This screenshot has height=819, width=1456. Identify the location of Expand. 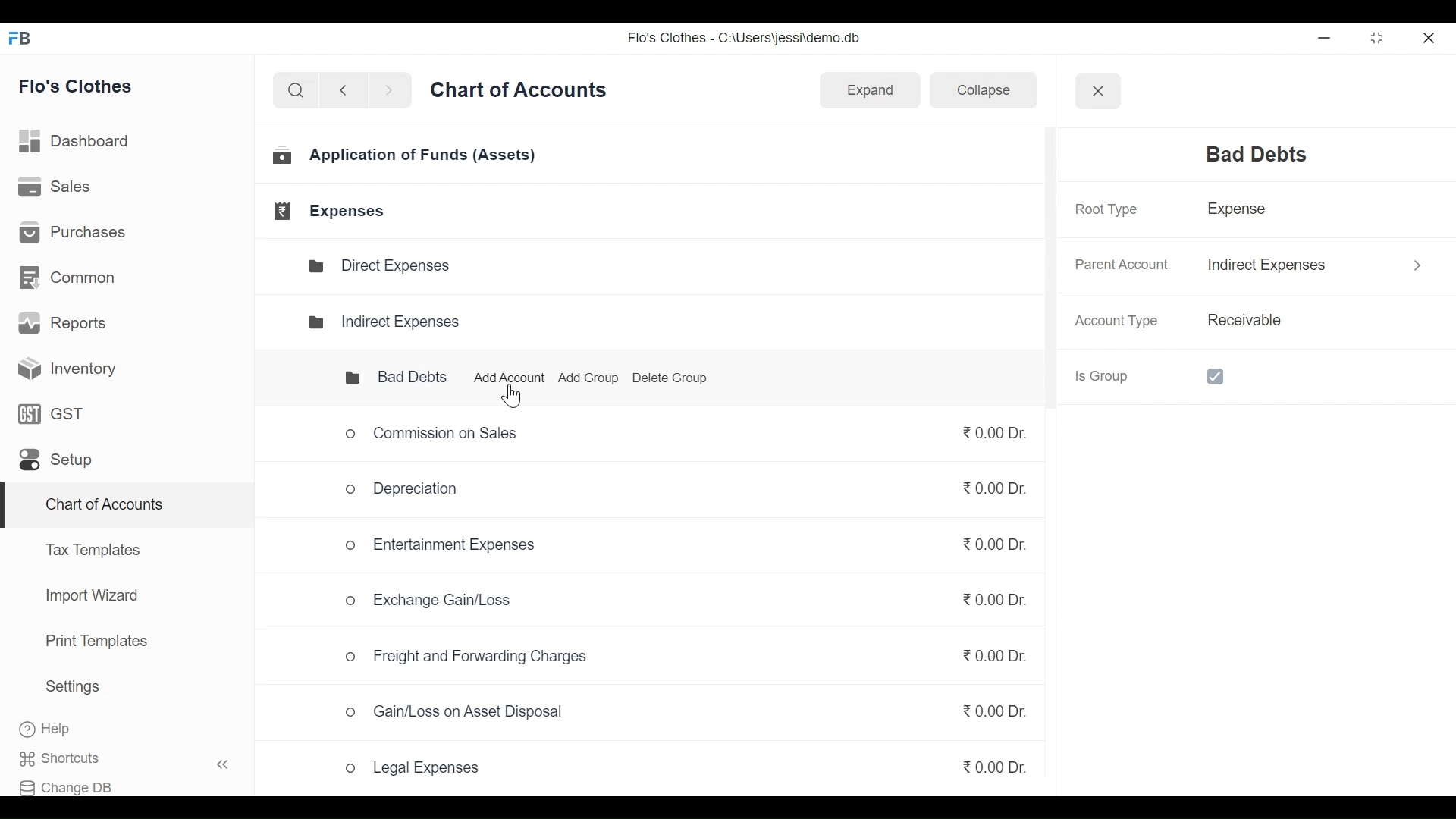
(869, 89).